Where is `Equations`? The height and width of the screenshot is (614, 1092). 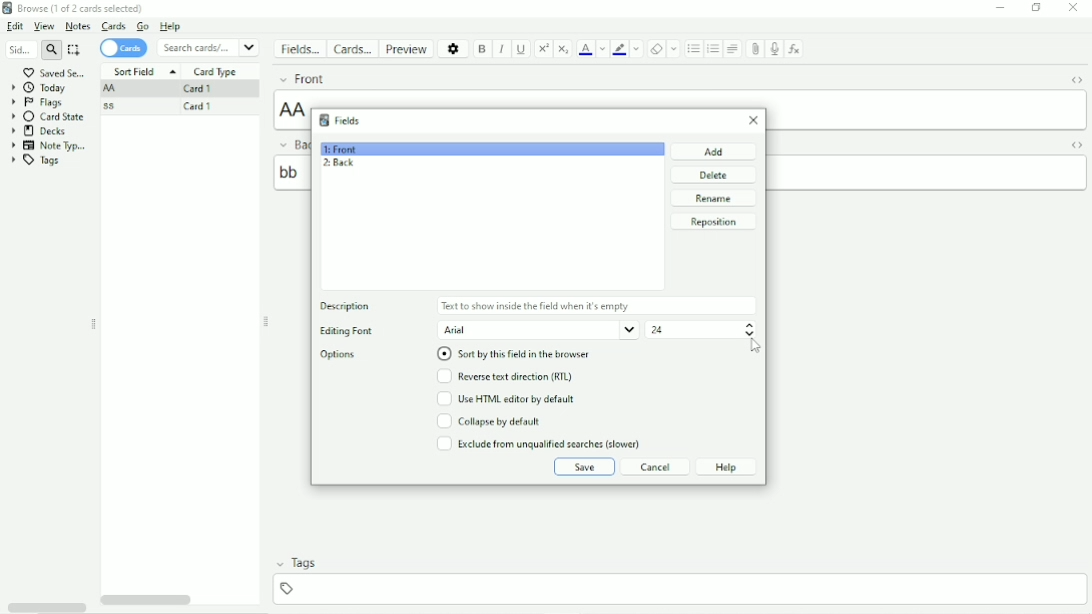 Equations is located at coordinates (794, 48).